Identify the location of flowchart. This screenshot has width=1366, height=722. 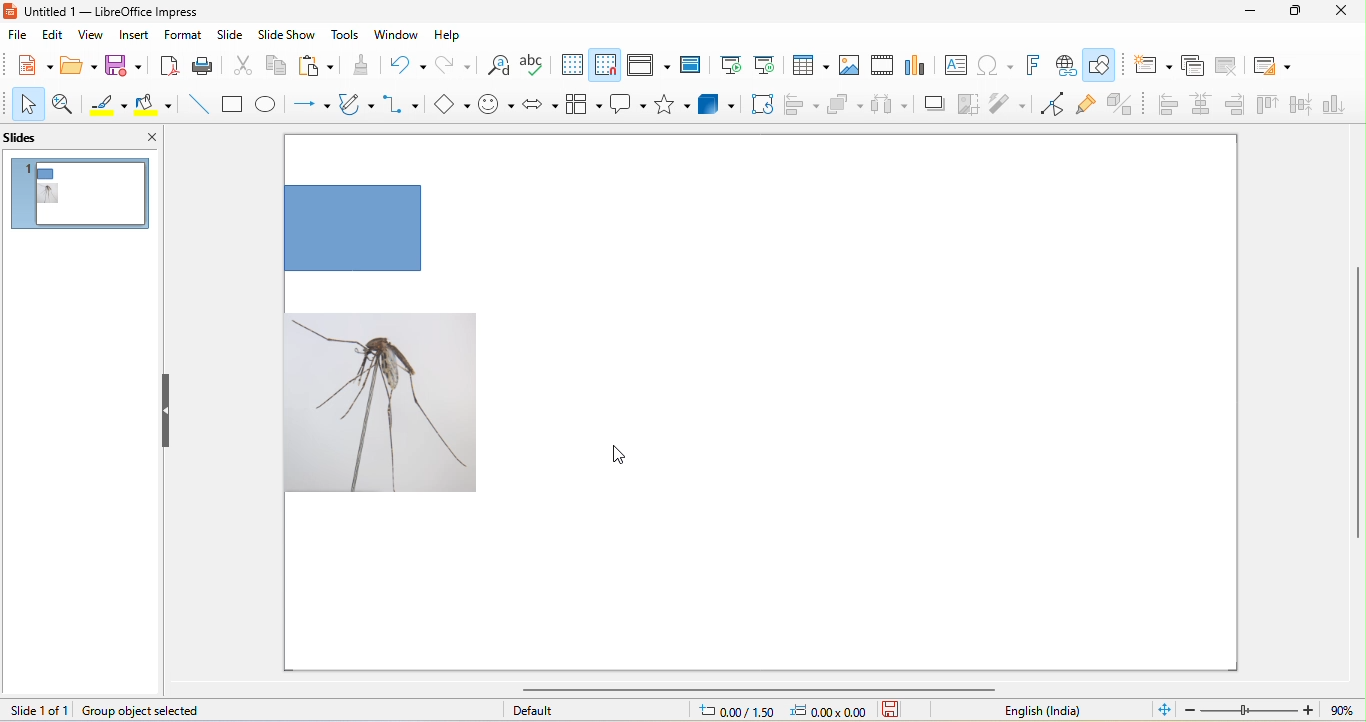
(584, 106).